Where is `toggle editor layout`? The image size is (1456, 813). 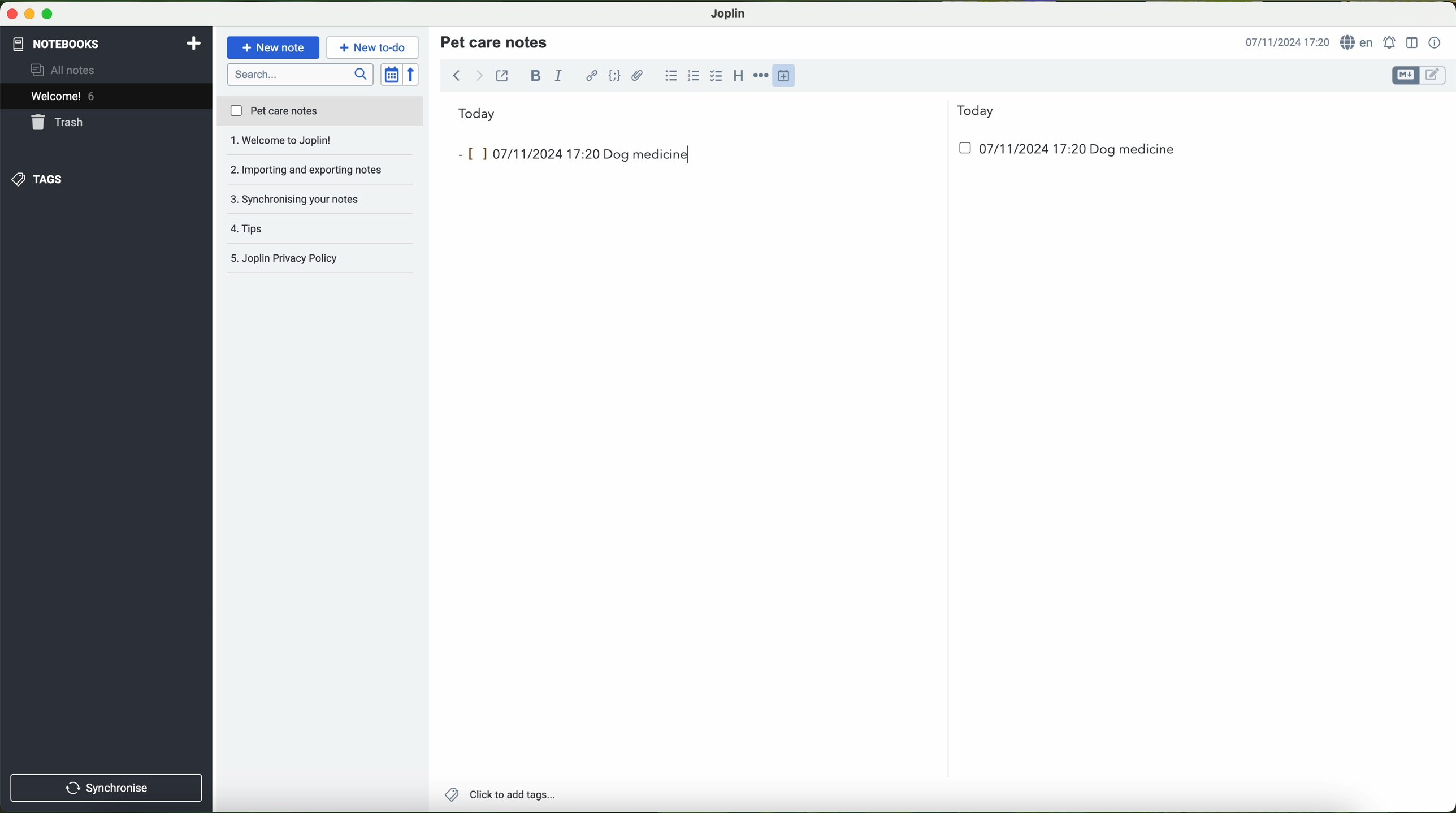
toggle editor layout is located at coordinates (1412, 42).